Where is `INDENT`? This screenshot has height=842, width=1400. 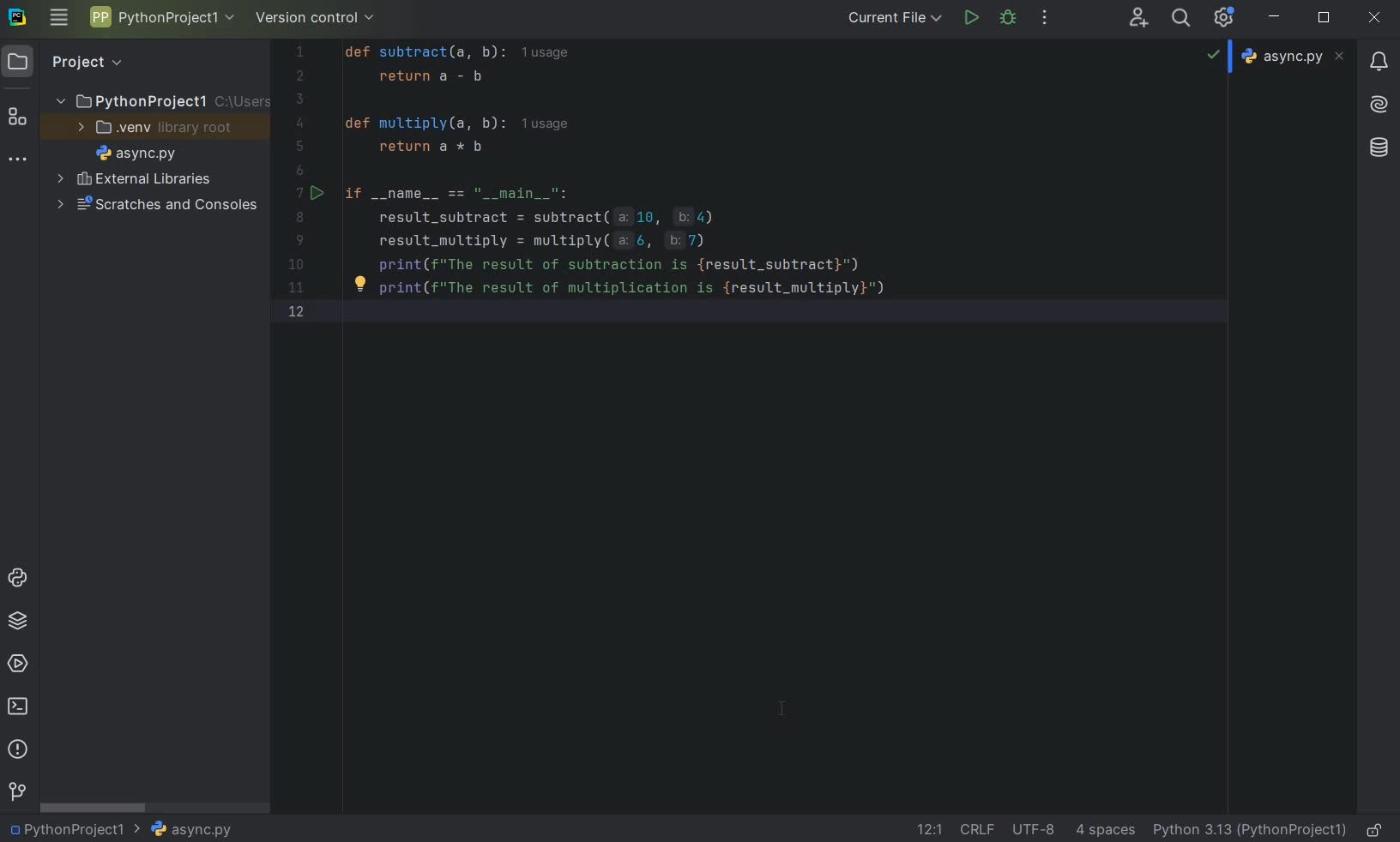
INDENT is located at coordinates (1103, 829).